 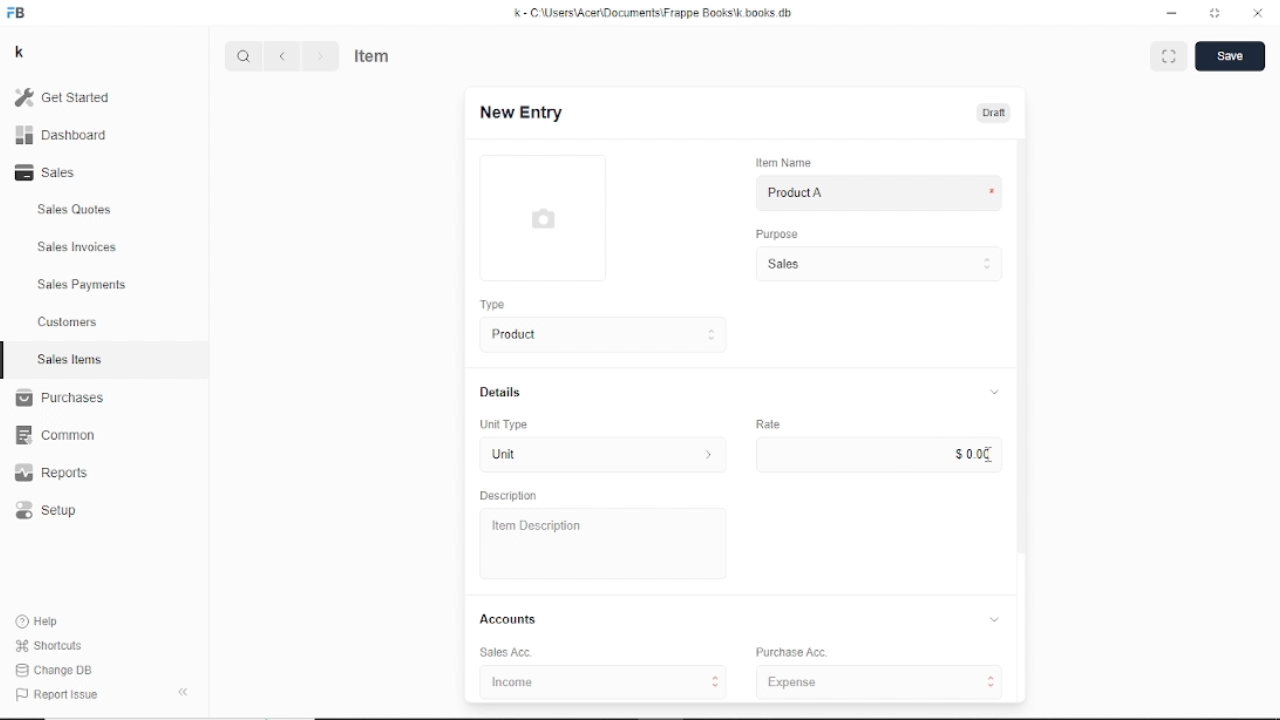 What do you see at coordinates (71, 97) in the screenshot?
I see `Get started` at bounding box center [71, 97].